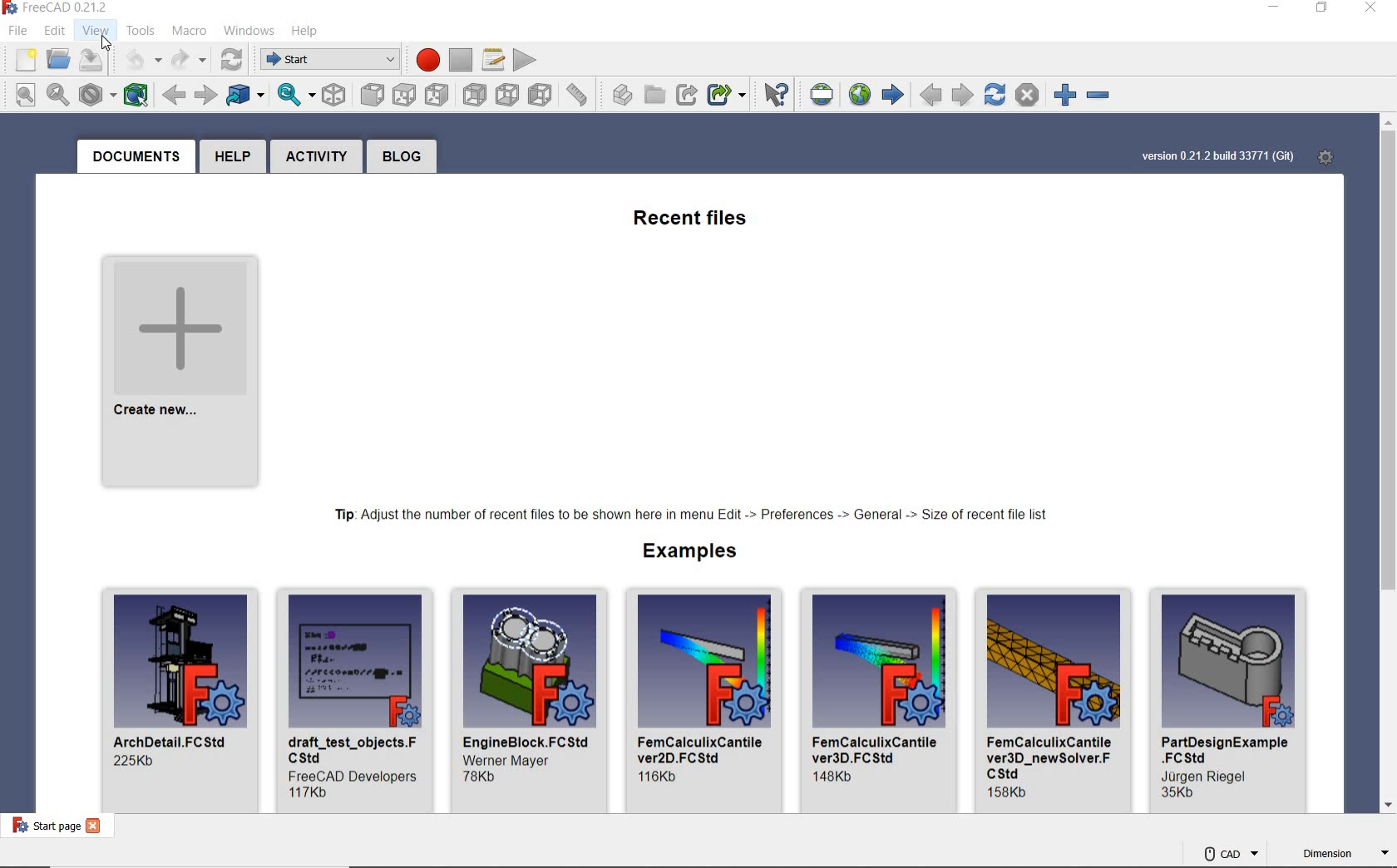 This screenshot has height=868, width=1397. Describe the element at coordinates (180, 374) in the screenshot. I see `create new` at that location.